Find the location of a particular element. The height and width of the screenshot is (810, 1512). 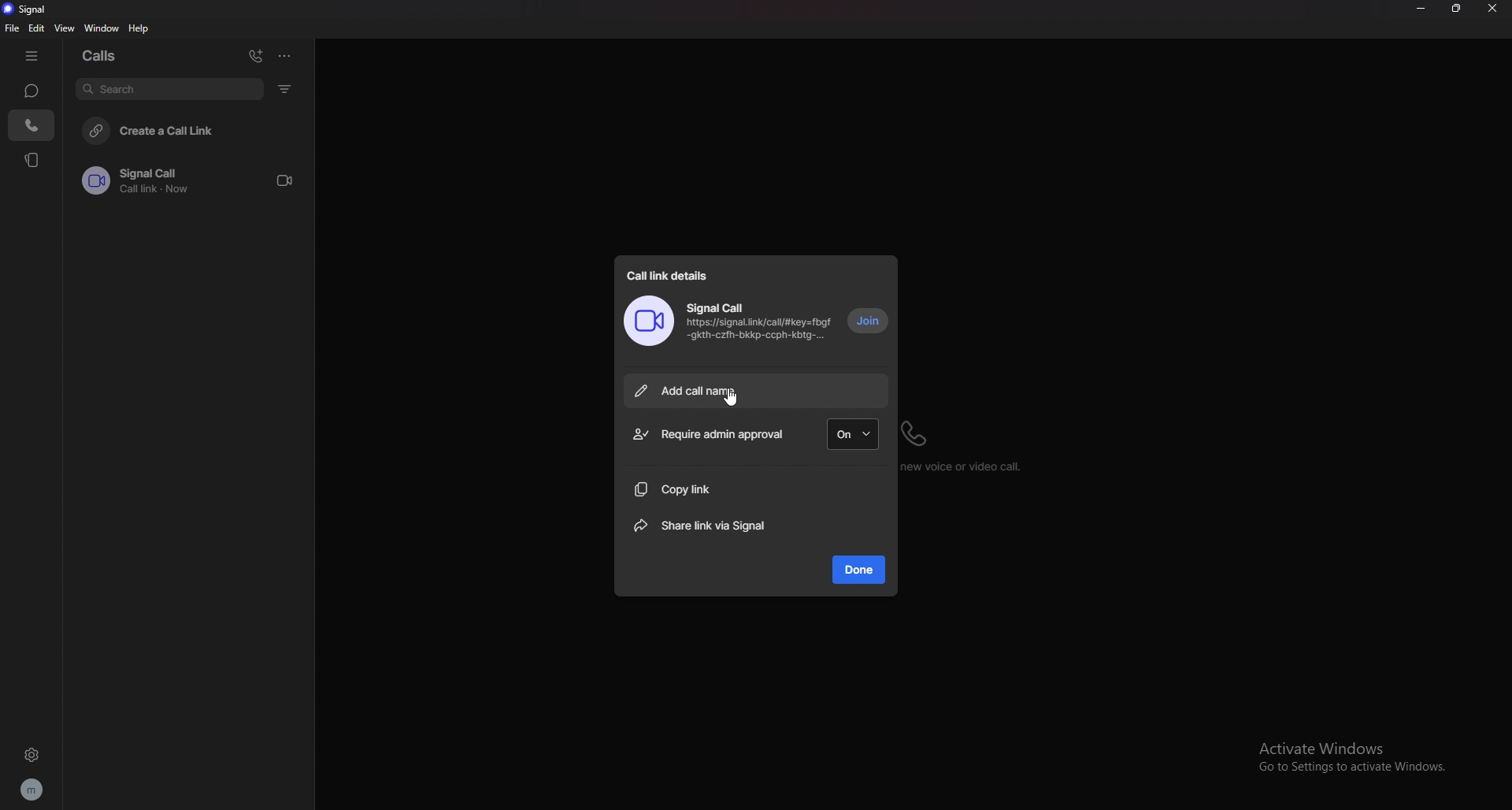

stories is located at coordinates (33, 159).